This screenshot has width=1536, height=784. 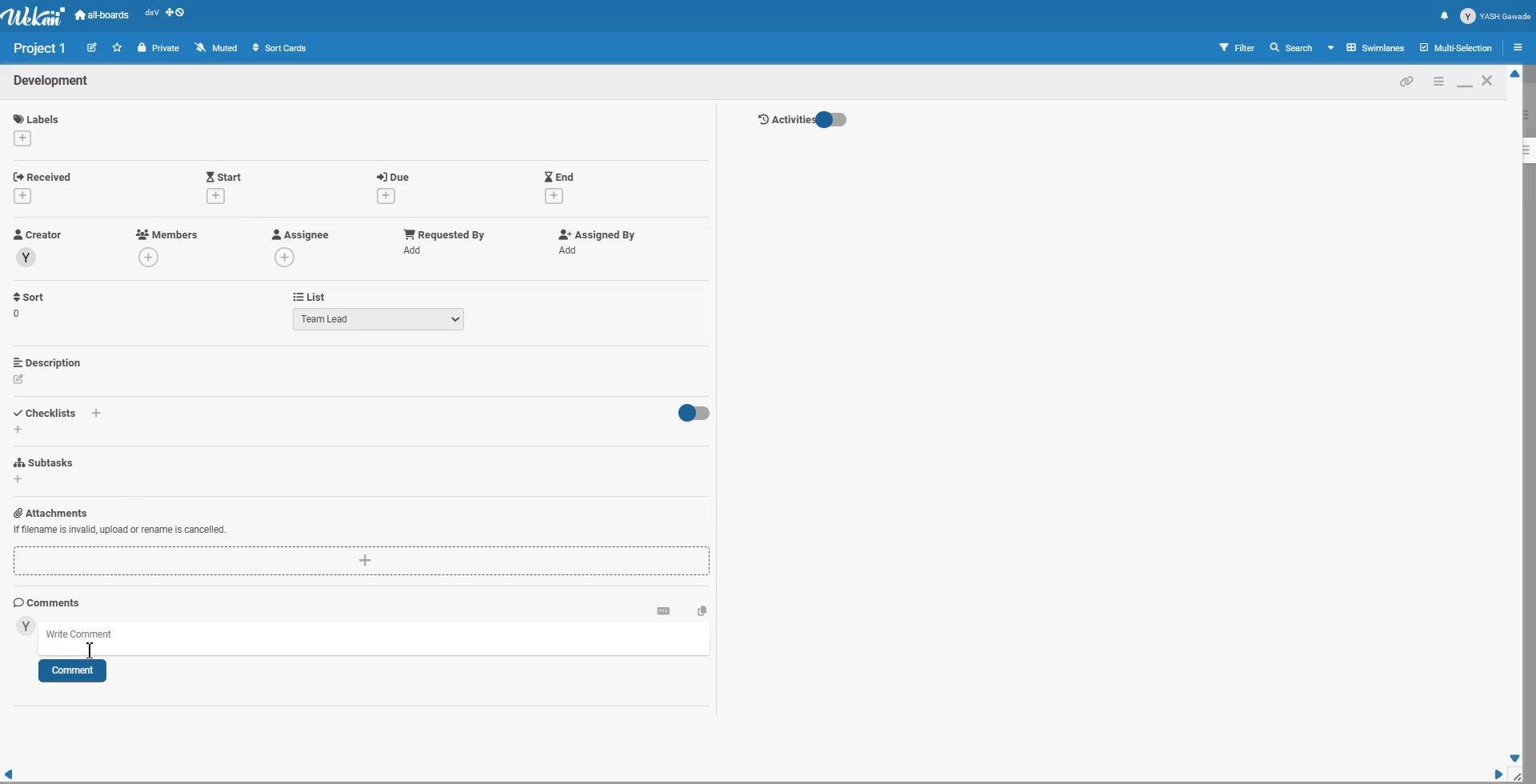 I want to click on Search, so click(x=1292, y=47).